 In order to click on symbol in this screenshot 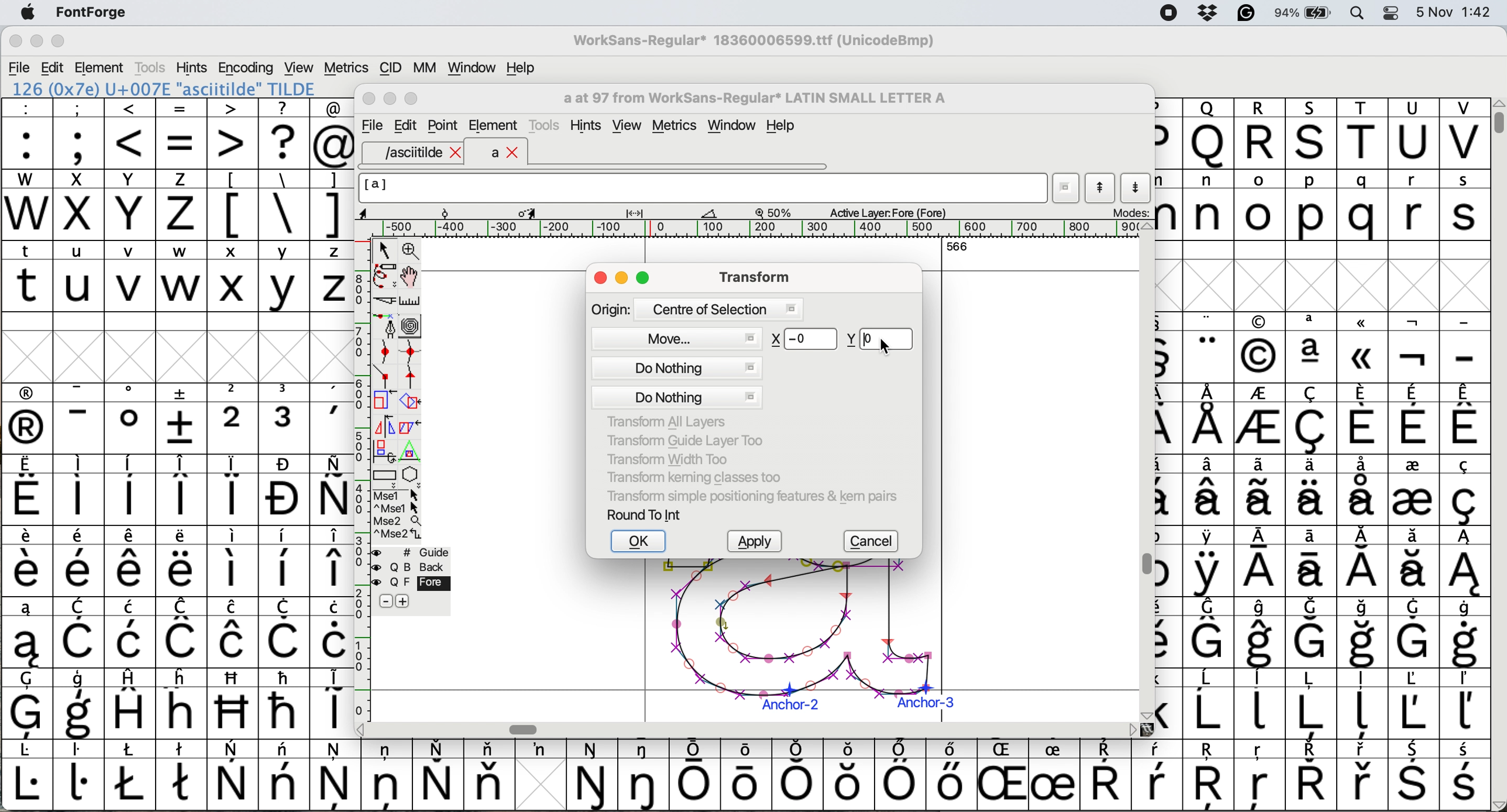, I will do `click(800, 774)`.